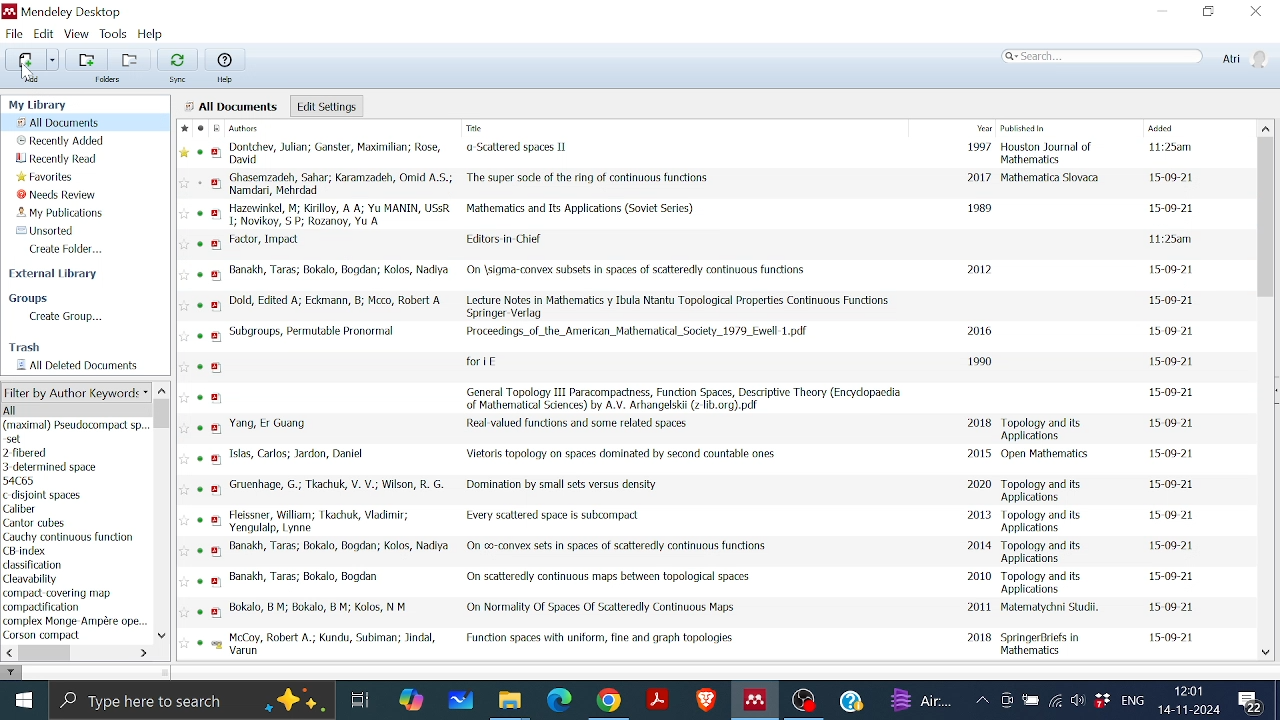 The height and width of the screenshot is (720, 1280). I want to click on read status, so click(204, 128).